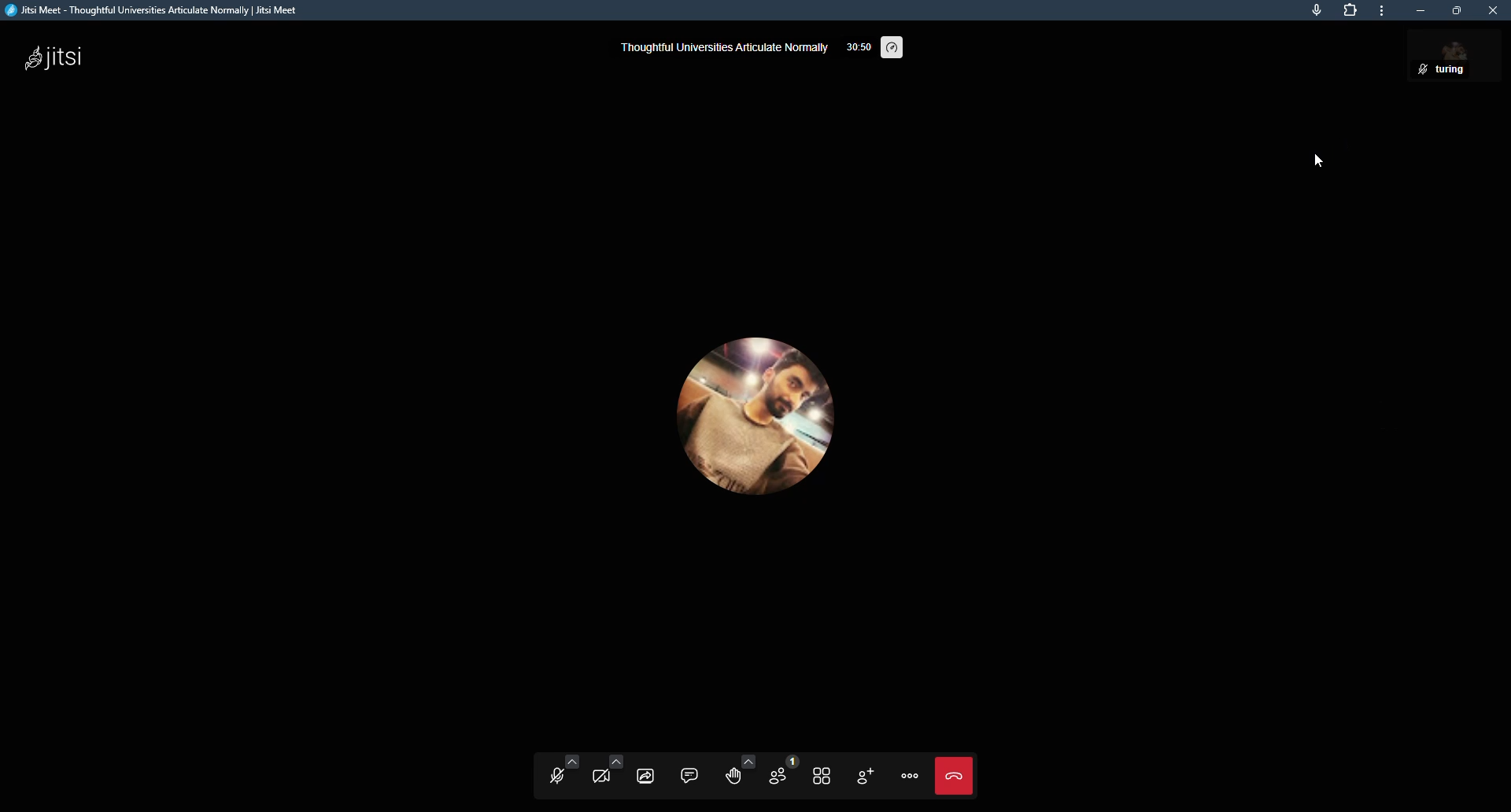 The image size is (1511, 812). Describe the element at coordinates (779, 773) in the screenshot. I see `participants` at that location.